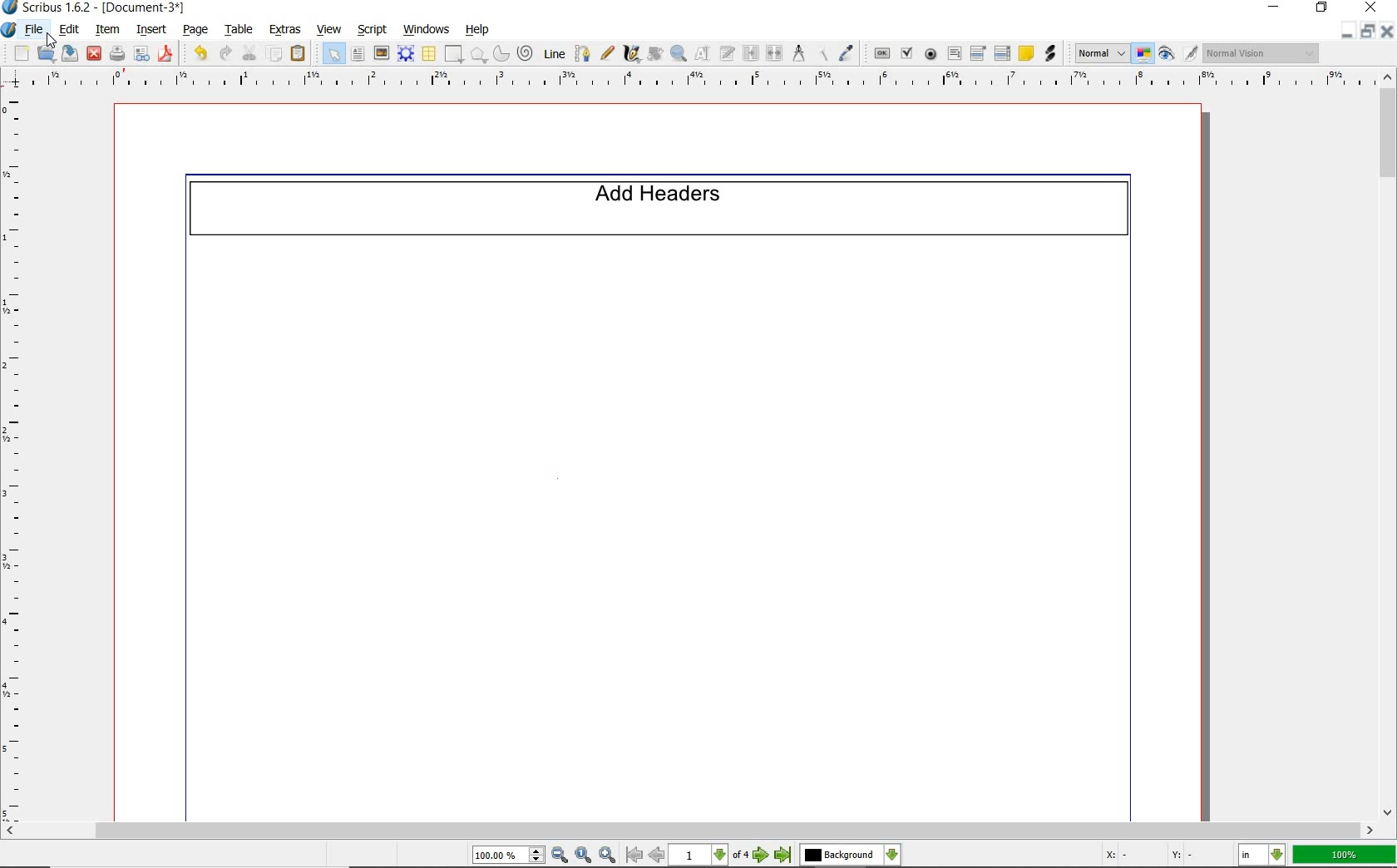  What do you see at coordinates (585, 856) in the screenshot?
I see `zoom to 100%` at bounding box center [585, 856].